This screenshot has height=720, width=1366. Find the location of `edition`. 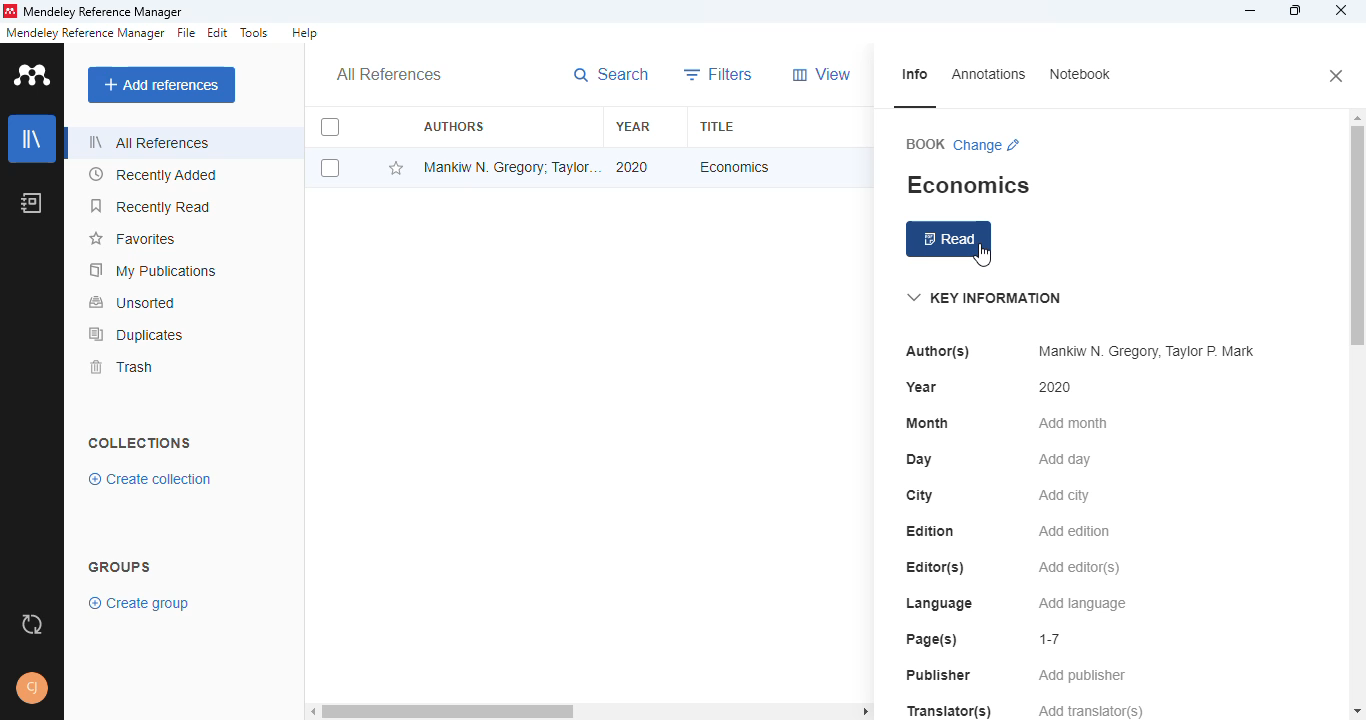

edition is located at coordinates (931, 532).